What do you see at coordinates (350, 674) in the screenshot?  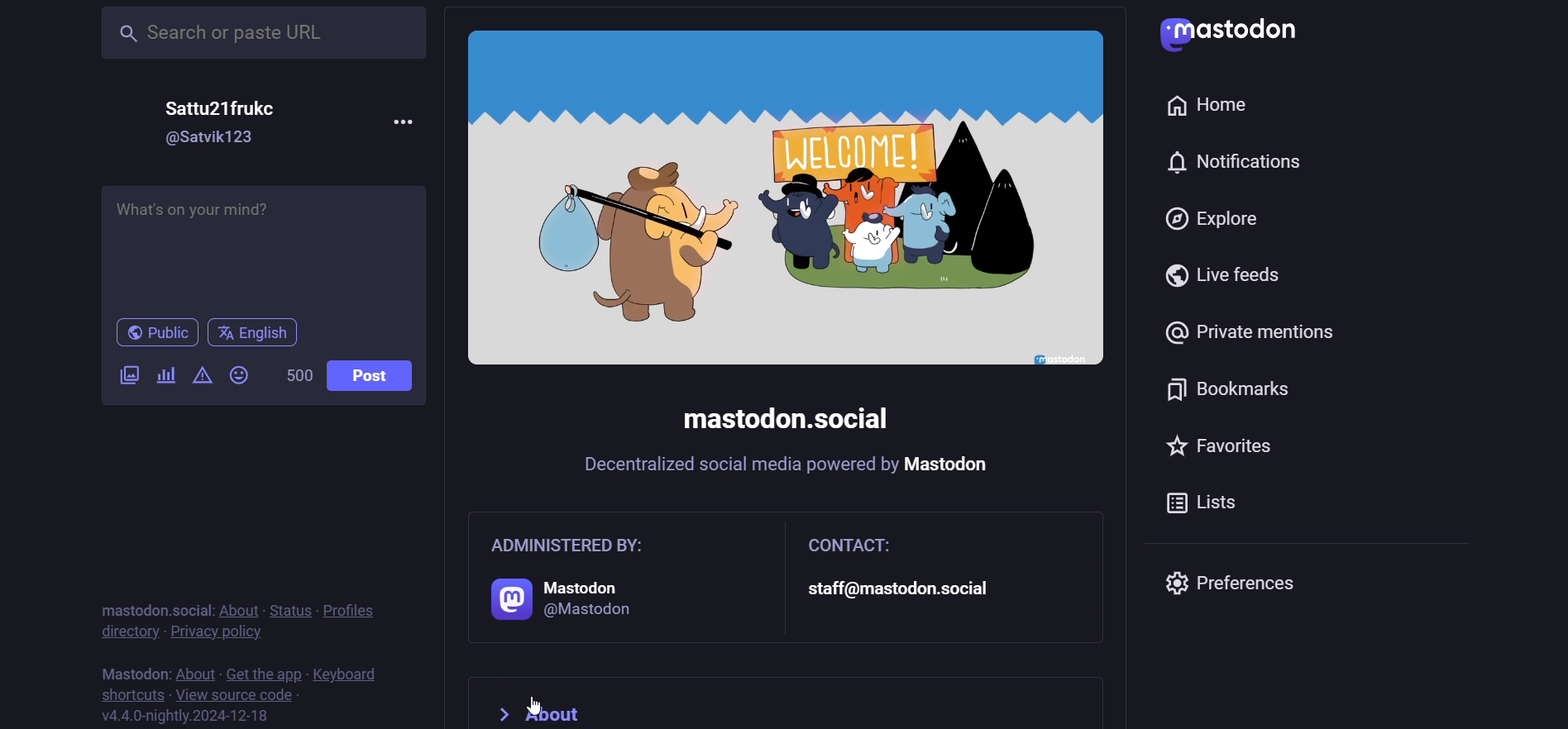 I see `keyboard` at bounding box center [350, 674].